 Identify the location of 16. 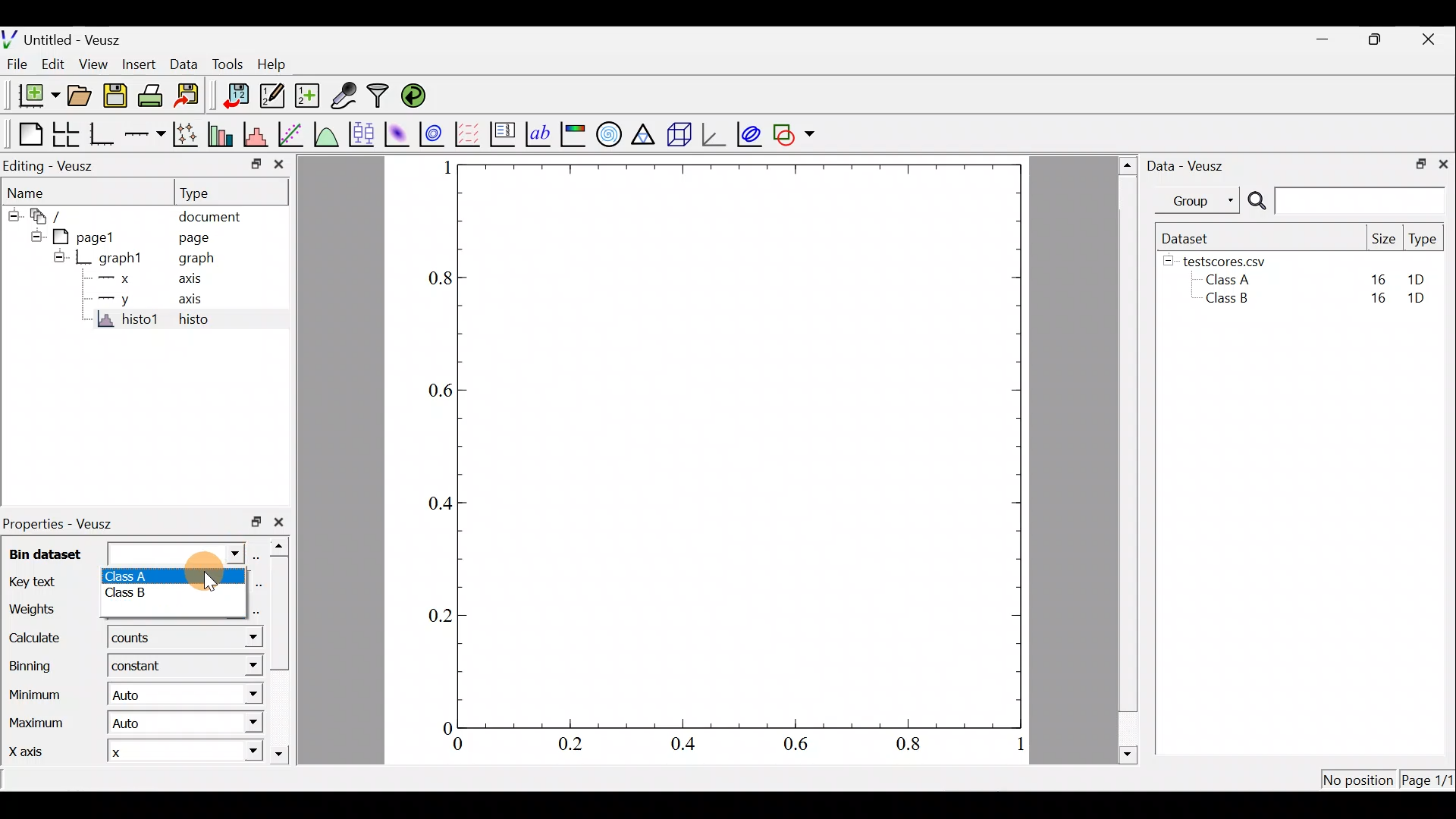
(1375, 302).